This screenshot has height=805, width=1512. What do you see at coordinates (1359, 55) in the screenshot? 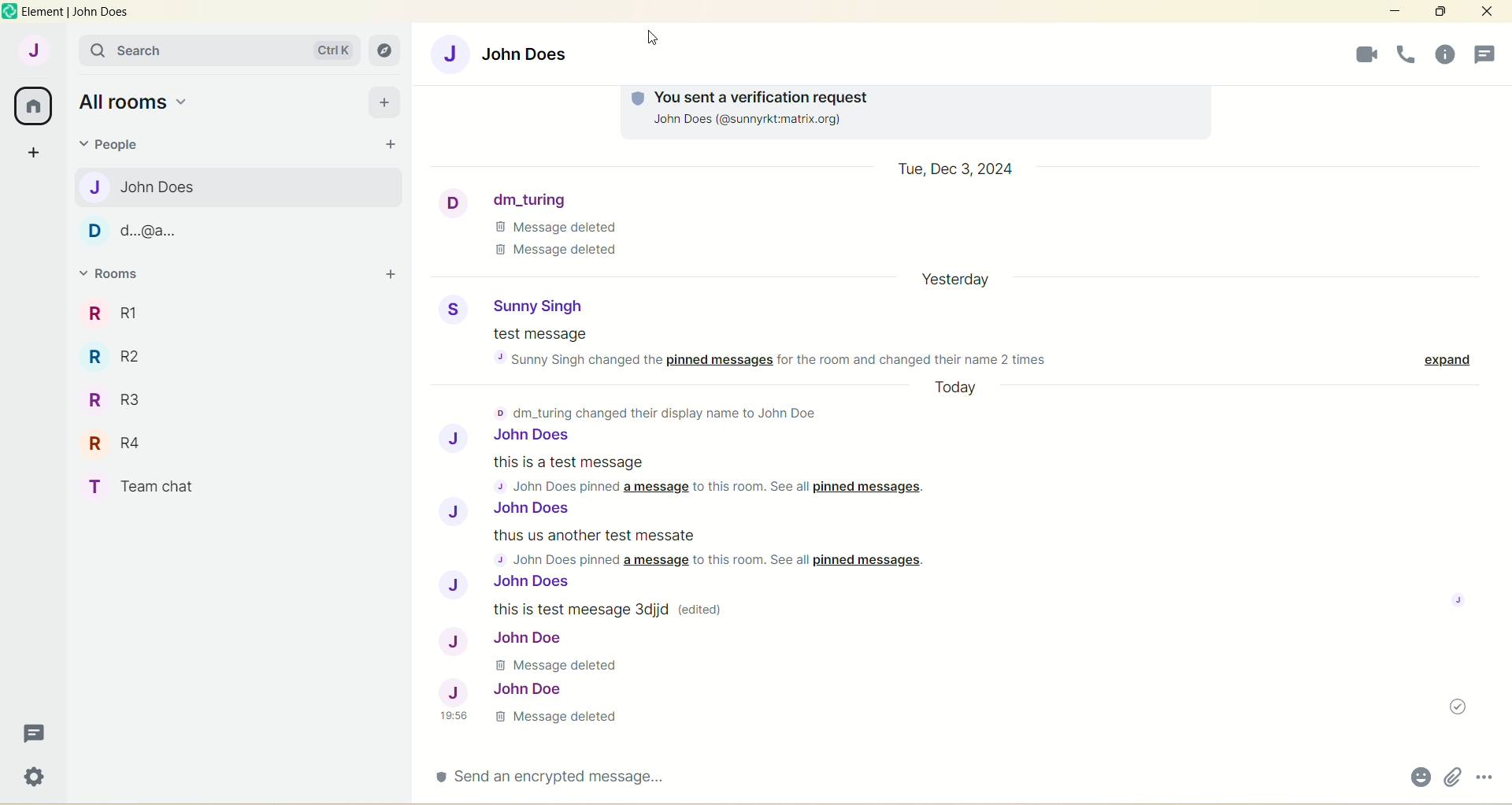
I see `voice call` at bounding box center [1359, 55].